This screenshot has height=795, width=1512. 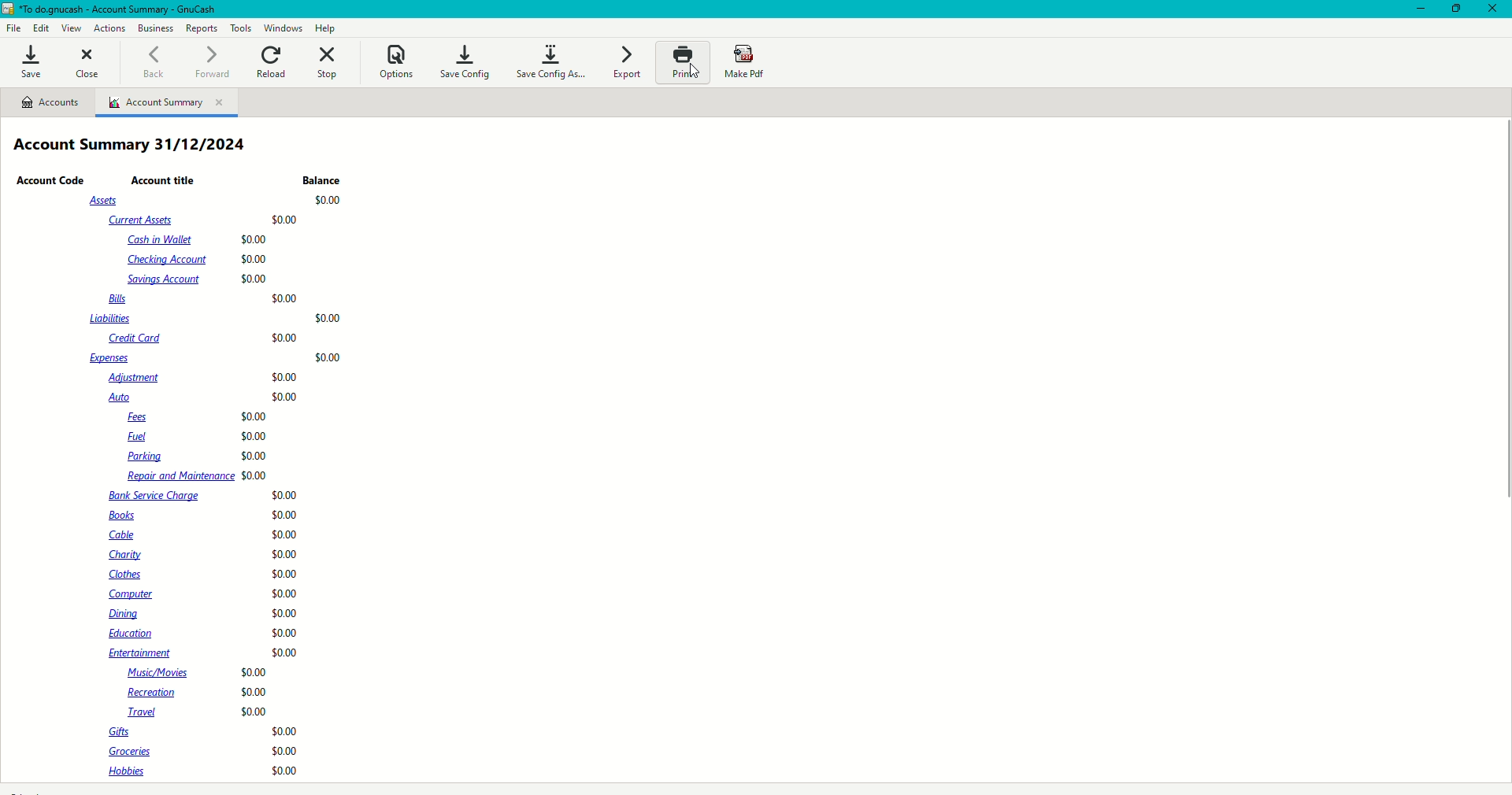 I want to click on Account Summary, so click(x=135, y=146).